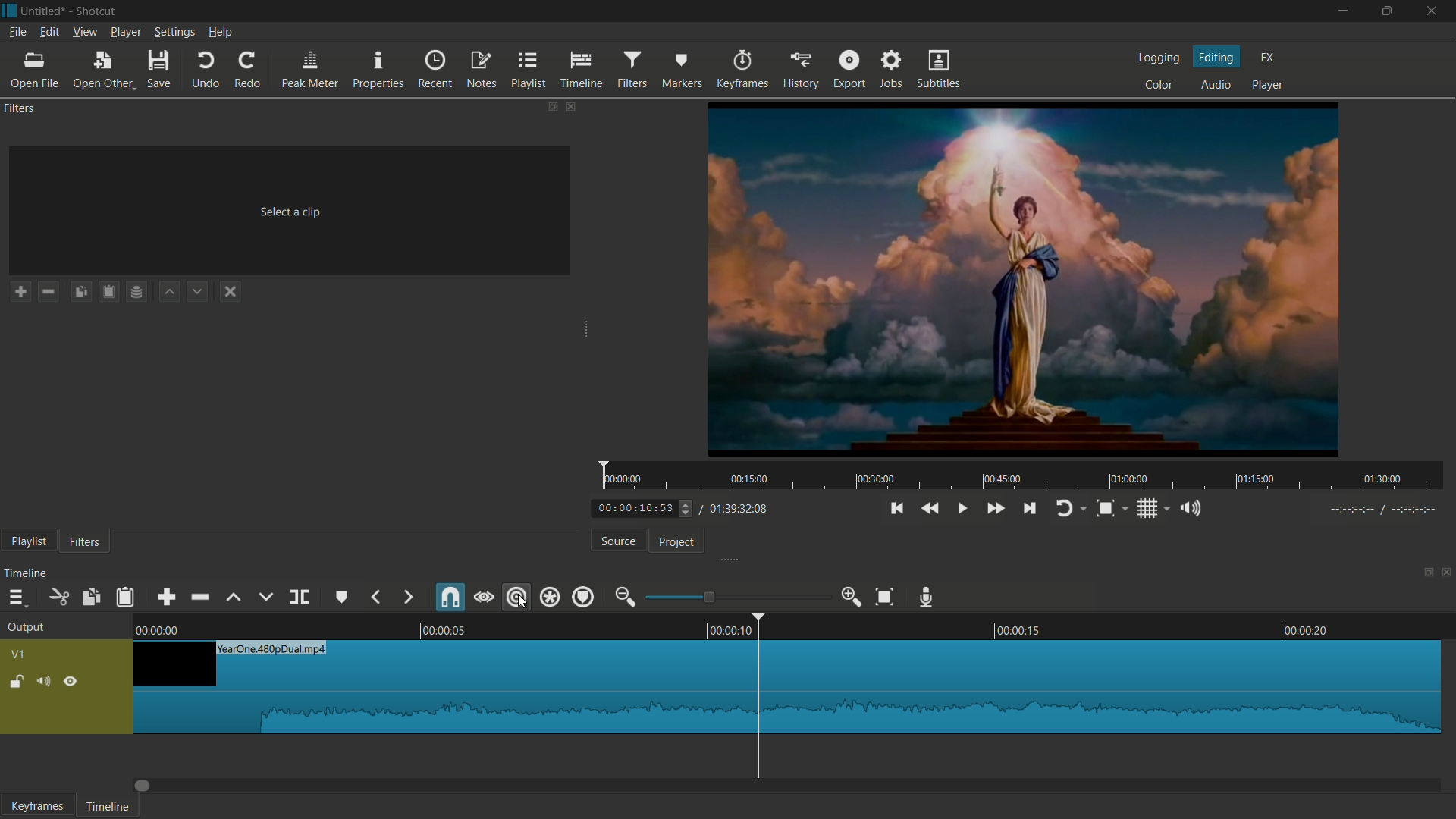 Image resolution: width=1456 pixels, height=819 pixels. I want to click on paste, so click(125, 598).